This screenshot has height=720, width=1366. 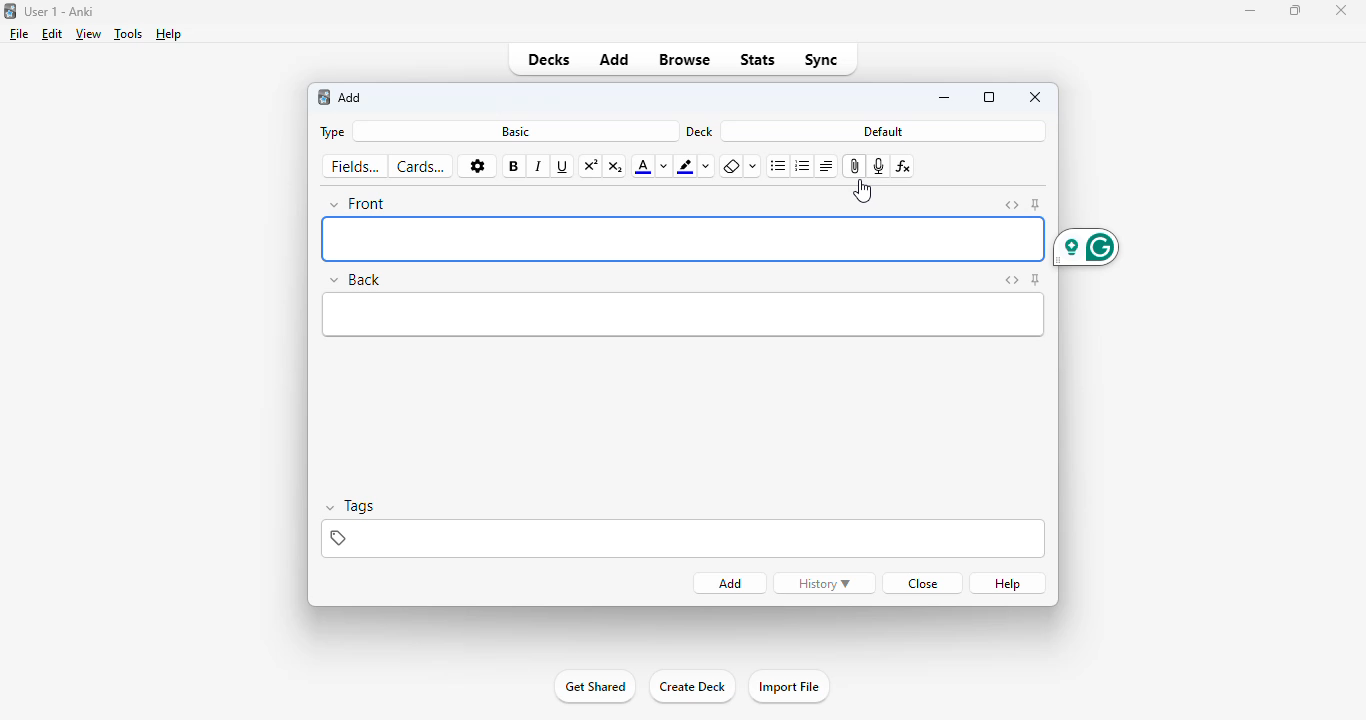 I want to click on add, so click(x=729, y=584).